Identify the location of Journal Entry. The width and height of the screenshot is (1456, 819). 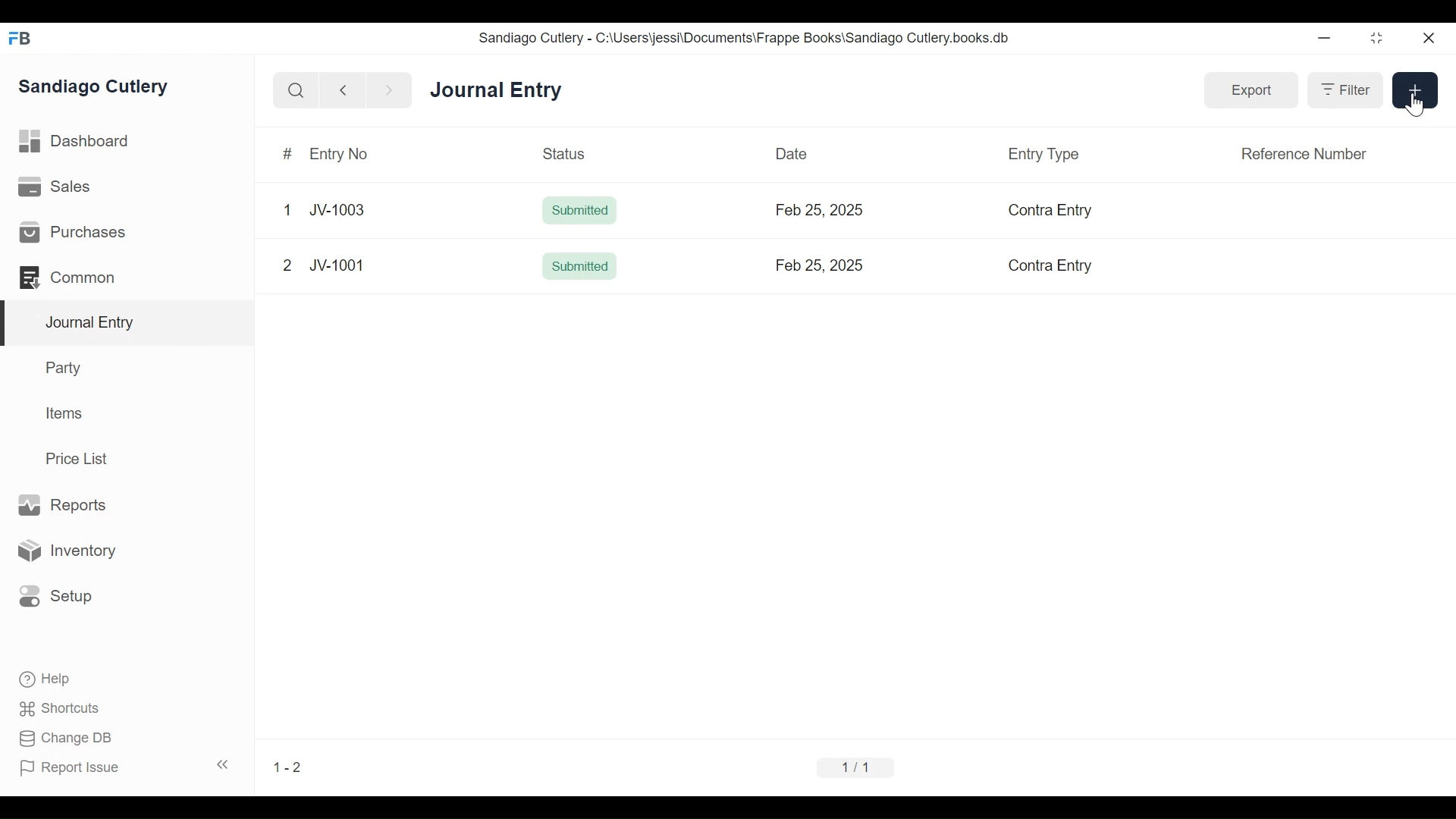
(498, 91).